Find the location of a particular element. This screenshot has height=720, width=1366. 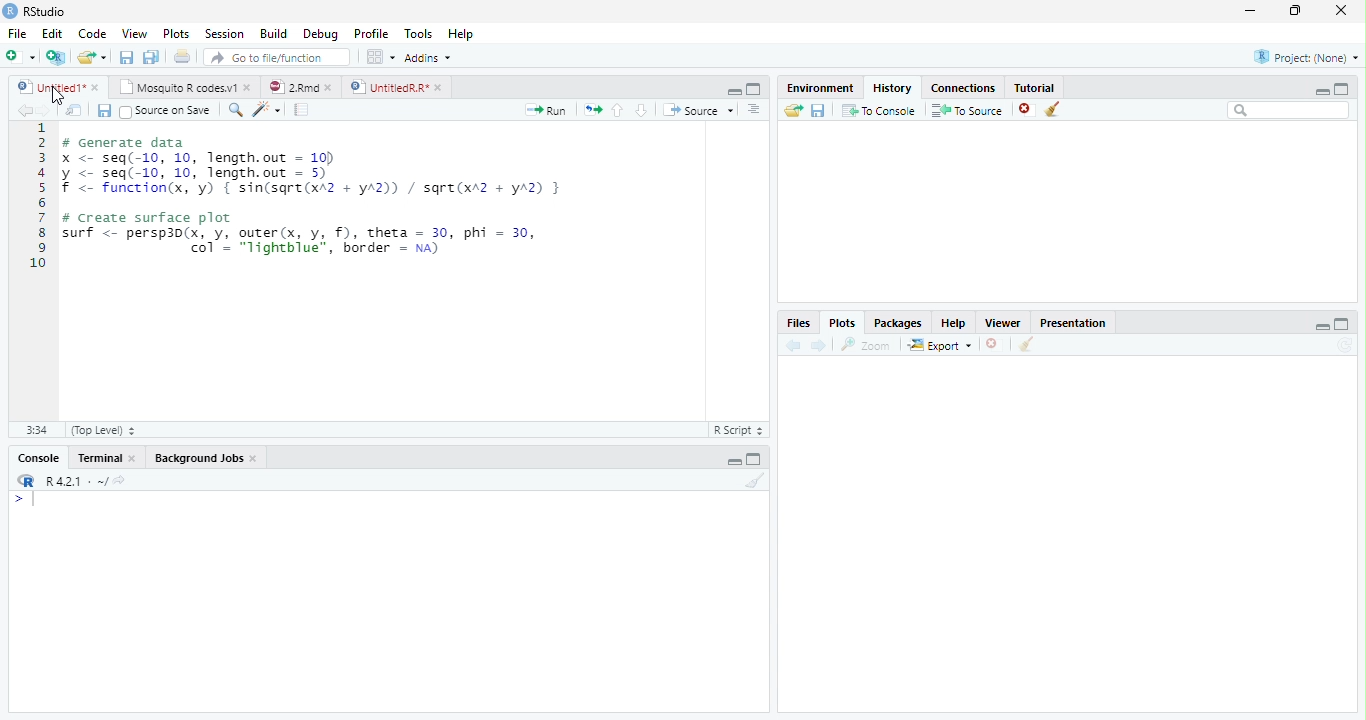

Re-run the previous code region is located at coordinates (592, 109).